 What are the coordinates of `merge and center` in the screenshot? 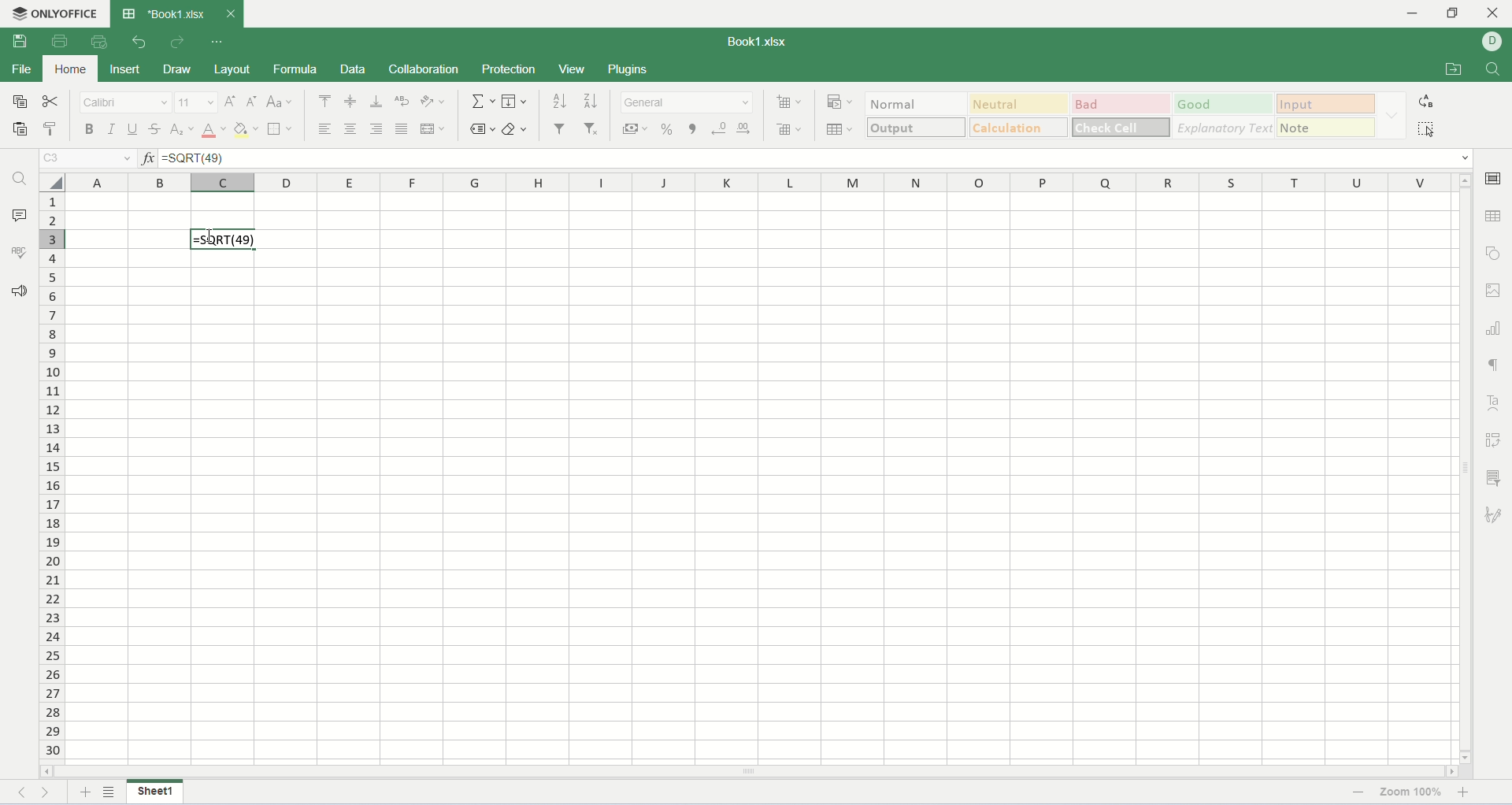 It's located at (433, 128).